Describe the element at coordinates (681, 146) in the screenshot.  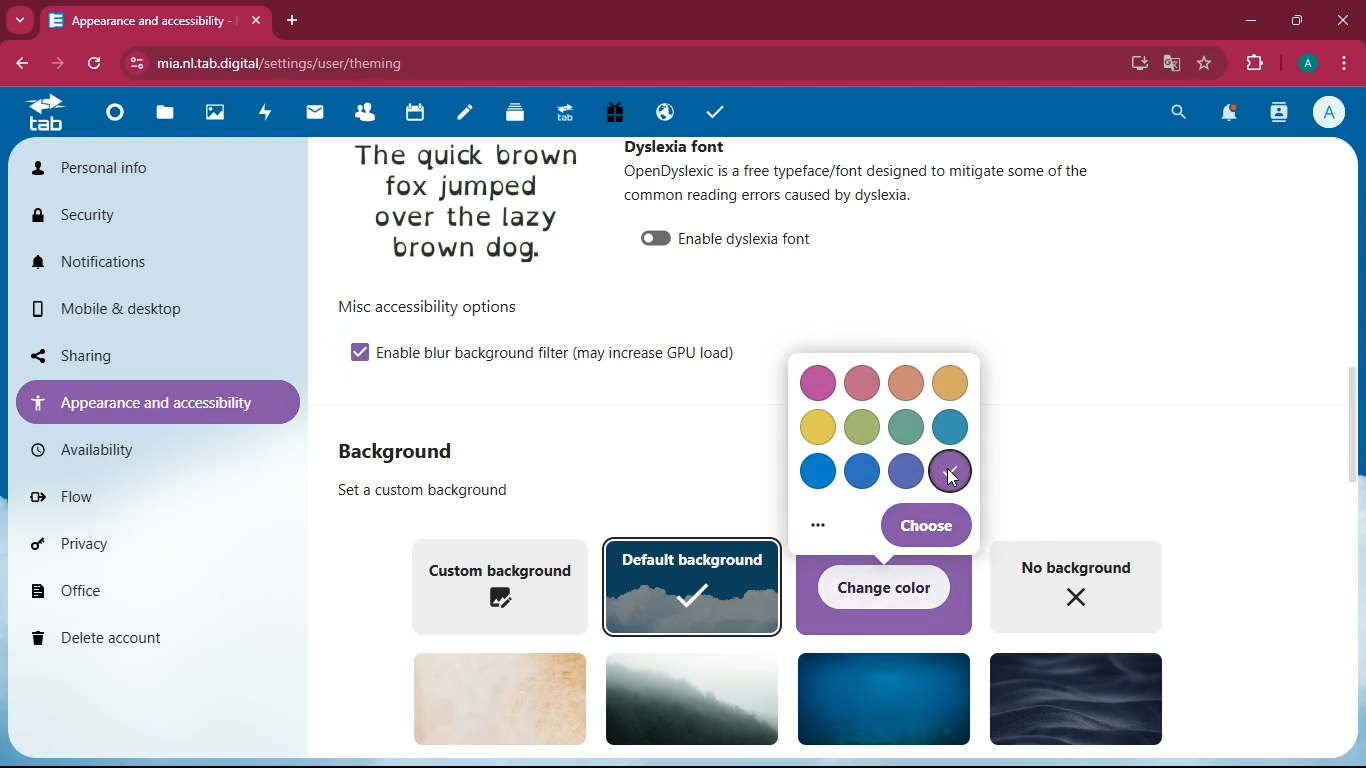
I see `dyslexia font` at that location.